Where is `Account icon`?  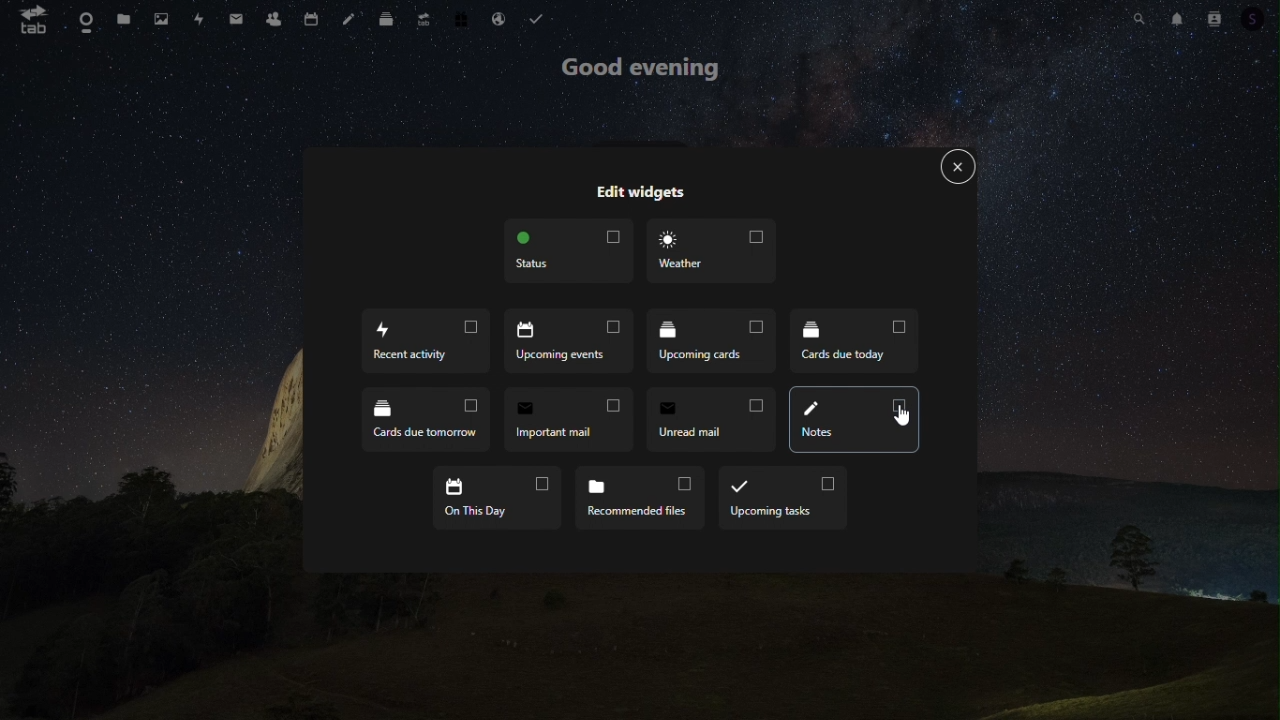
Account icon is located at coordinates (1259, 19).